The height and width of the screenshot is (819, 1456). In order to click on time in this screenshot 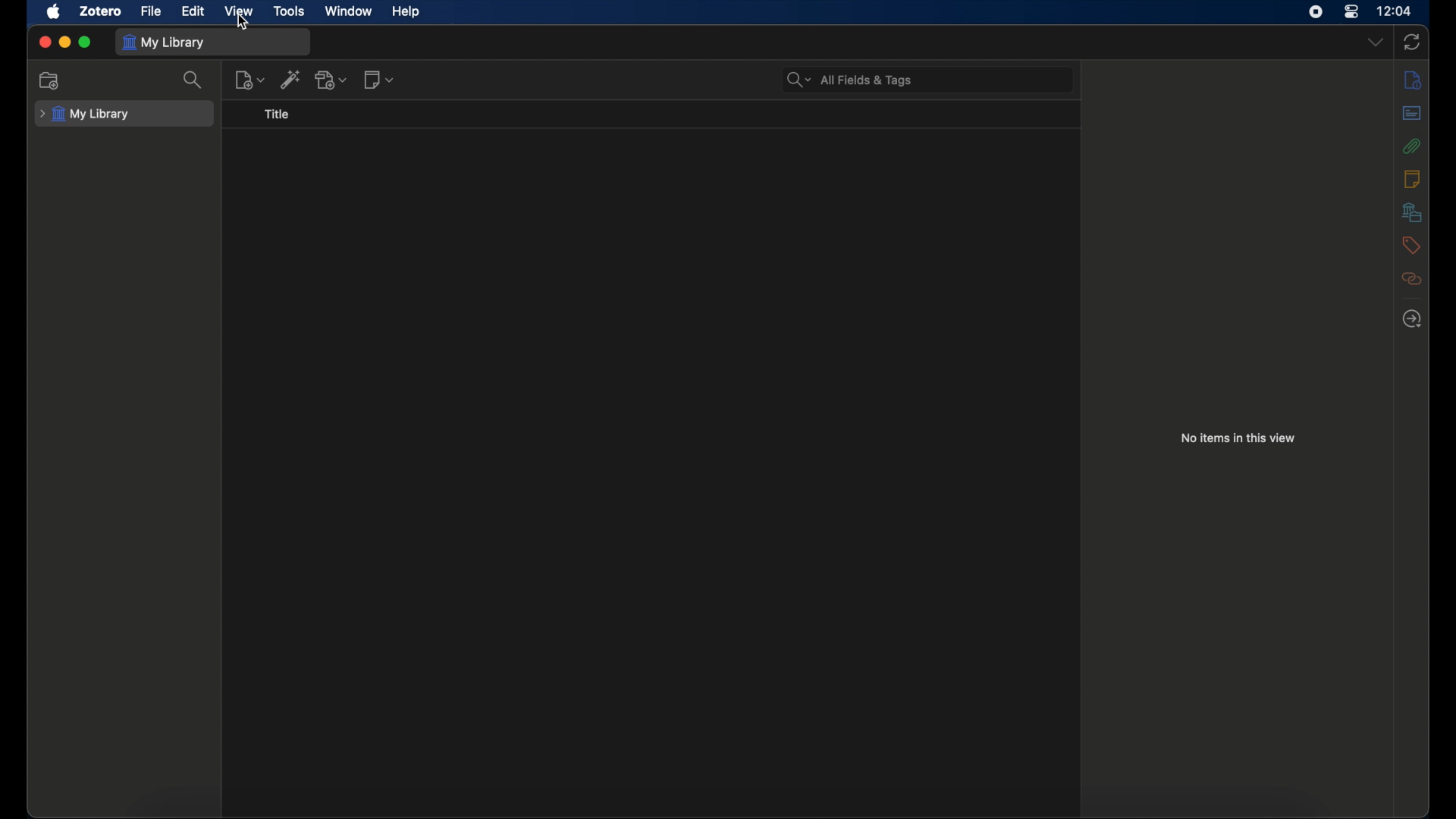, I will do `click(1393, 11)`.